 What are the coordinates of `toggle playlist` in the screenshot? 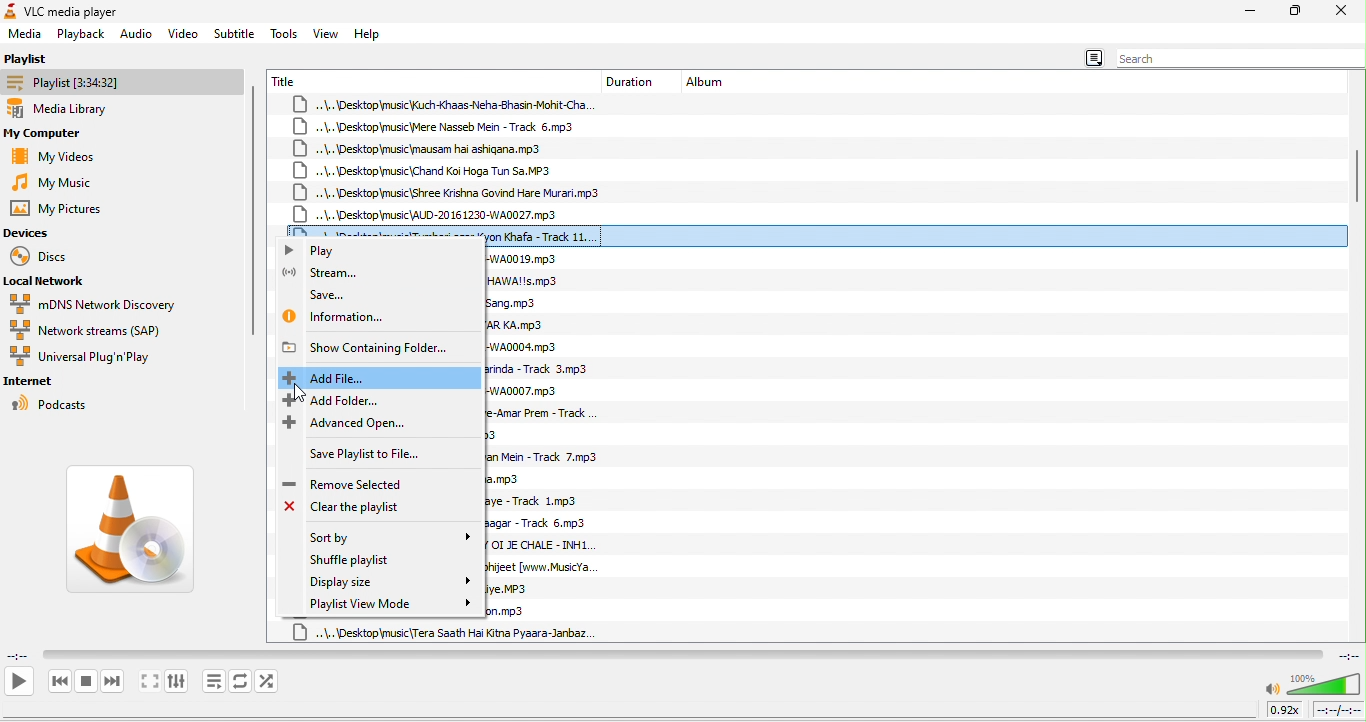 It's located at (214, 681).